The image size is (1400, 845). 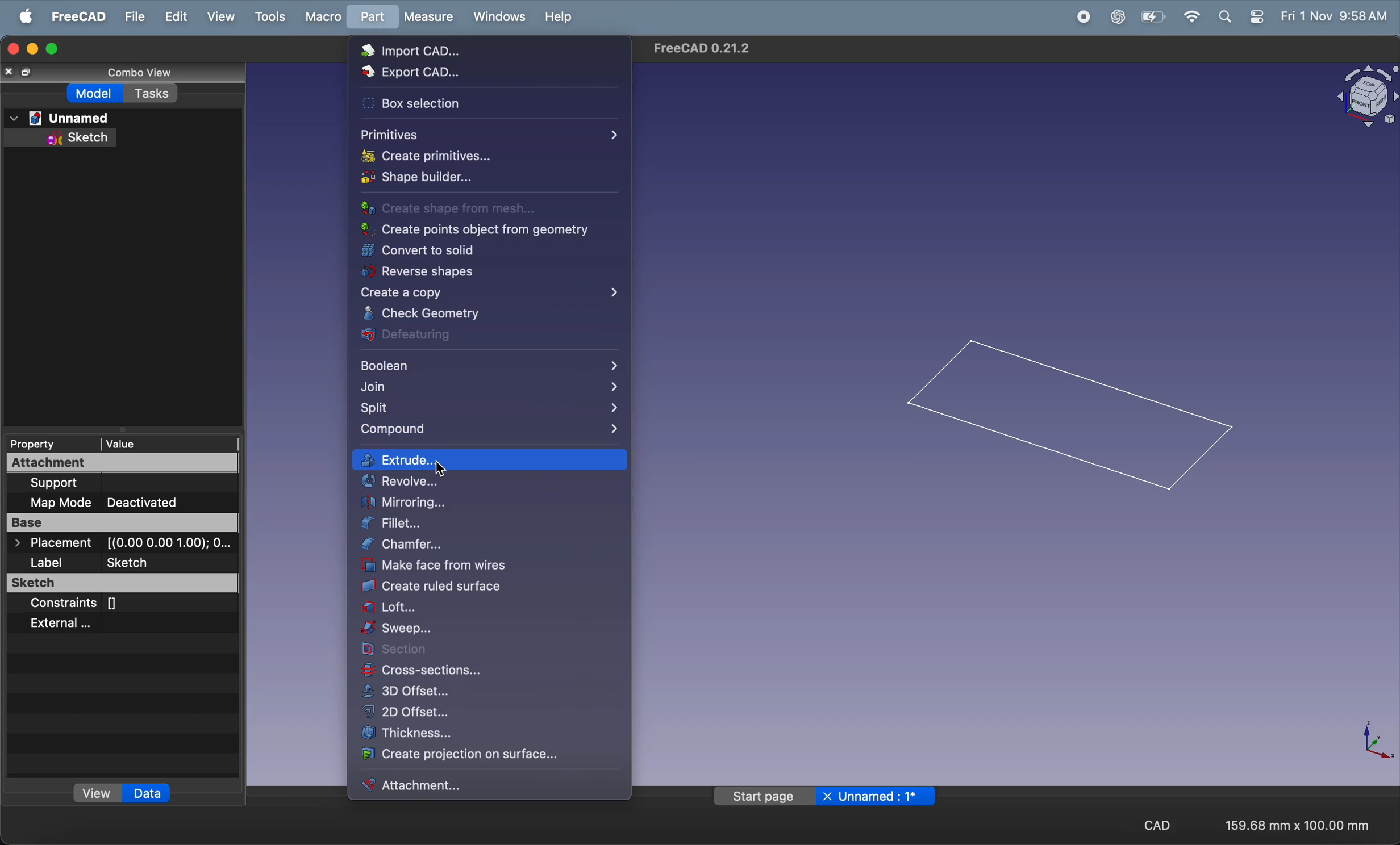 I want to click on base, so click(x=120, y=524).